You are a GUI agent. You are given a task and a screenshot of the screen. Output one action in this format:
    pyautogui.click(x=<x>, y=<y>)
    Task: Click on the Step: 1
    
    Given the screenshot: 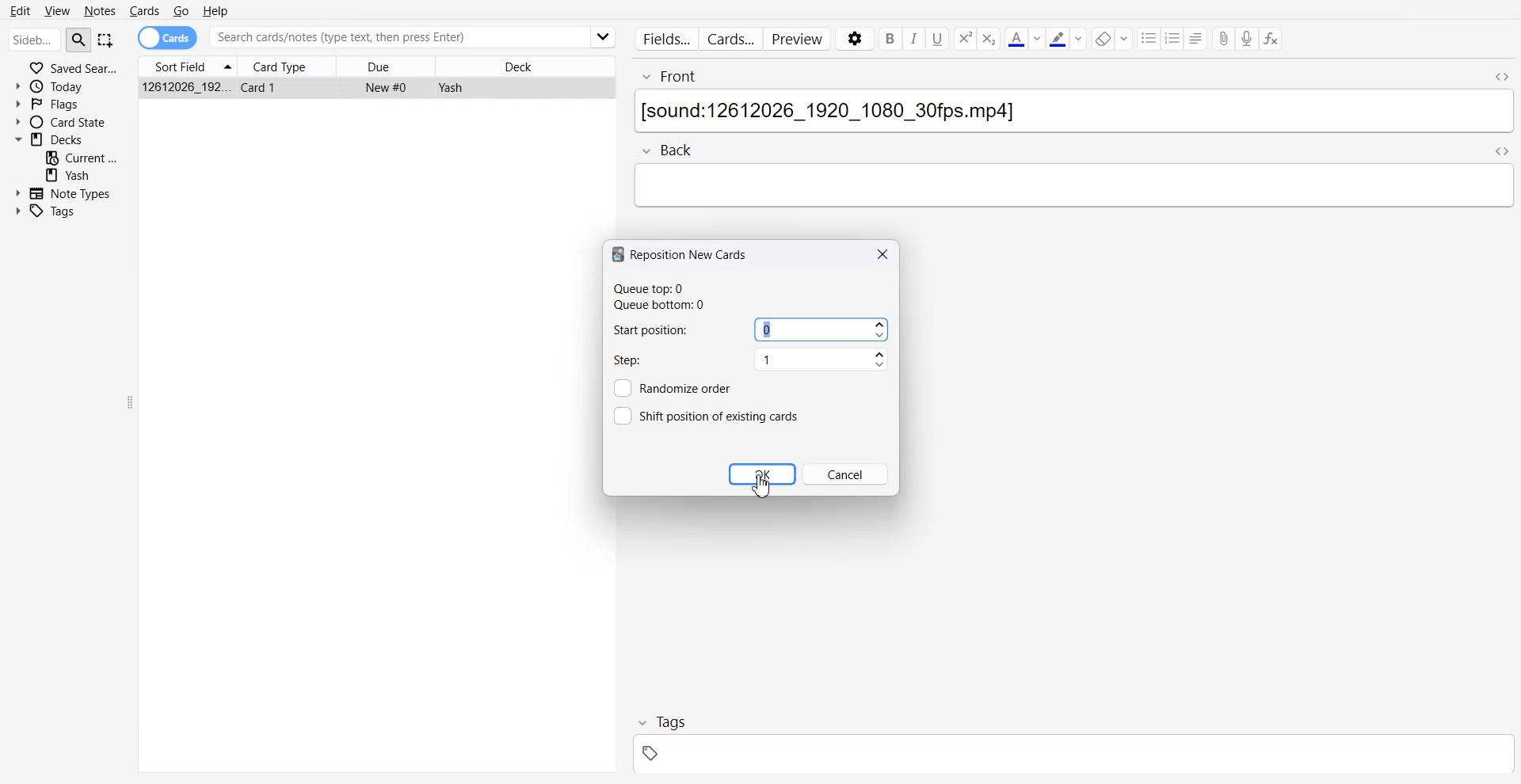 What is the action you would take?
    pyautogui.click(x=668, y=360)
    